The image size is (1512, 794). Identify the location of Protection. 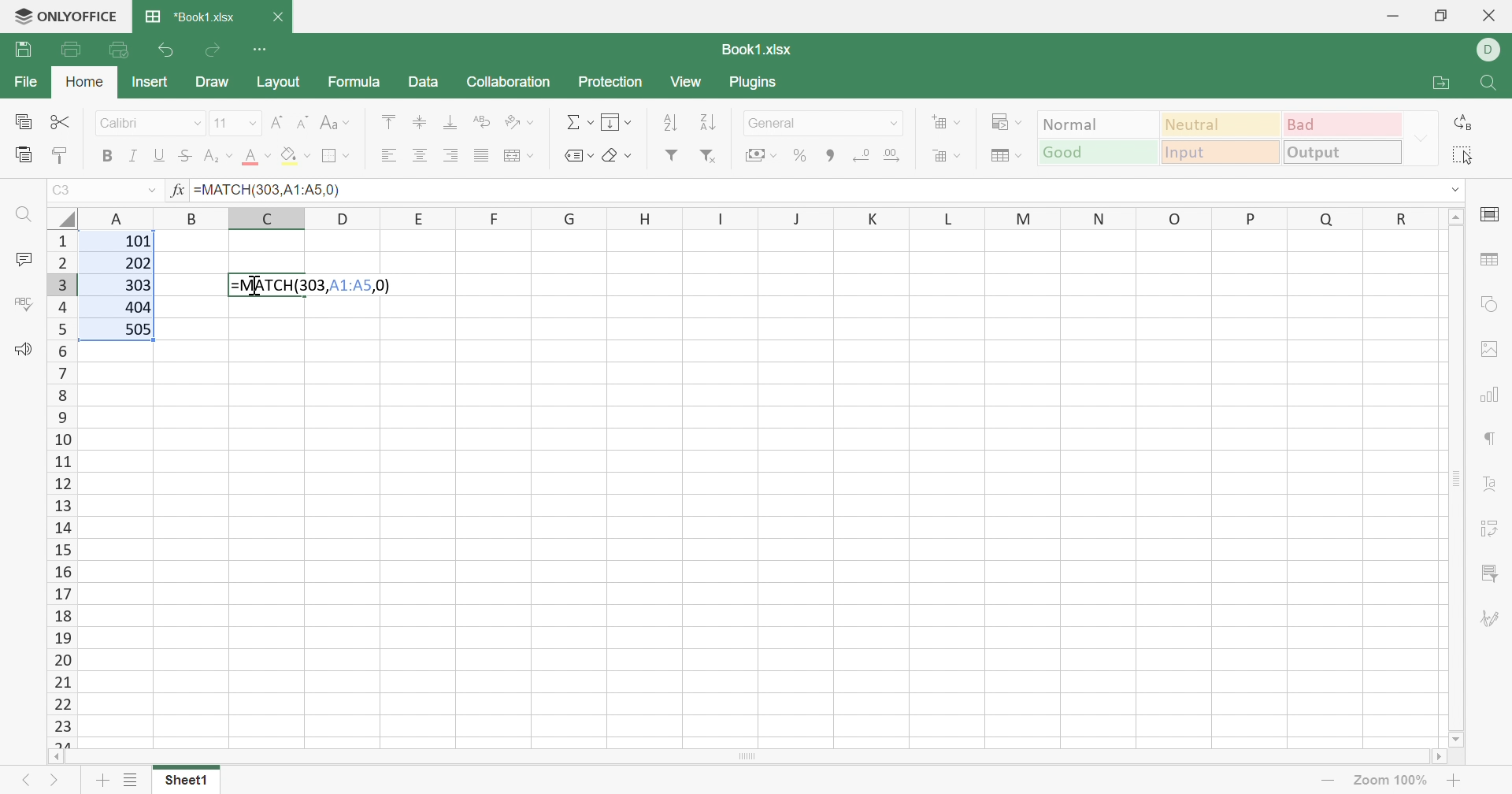
(609, 83).